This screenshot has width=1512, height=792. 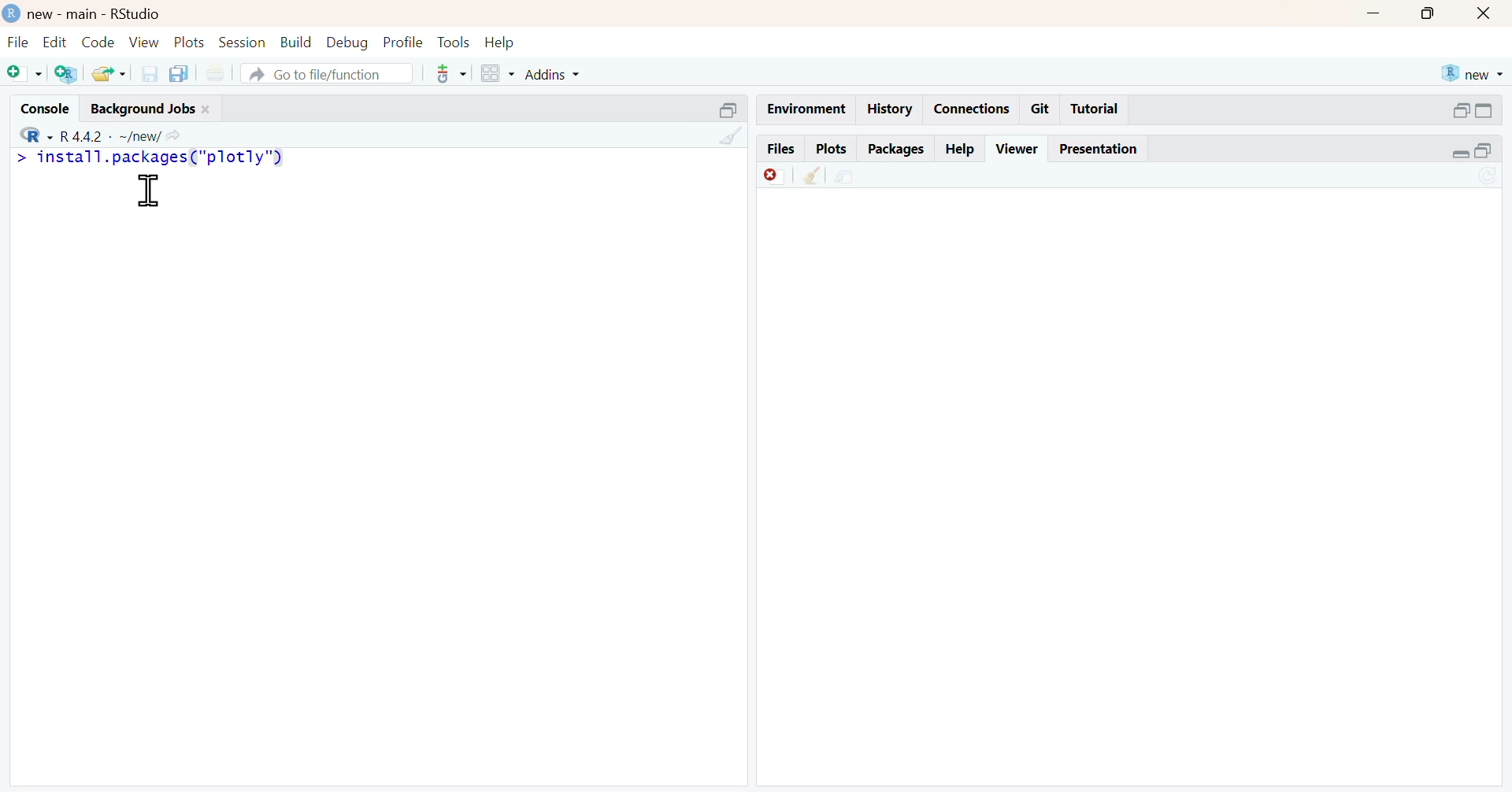 What do you see at coordinates (780, 148) in the screenshot?
I see `files` at bounding box center [780, 148].